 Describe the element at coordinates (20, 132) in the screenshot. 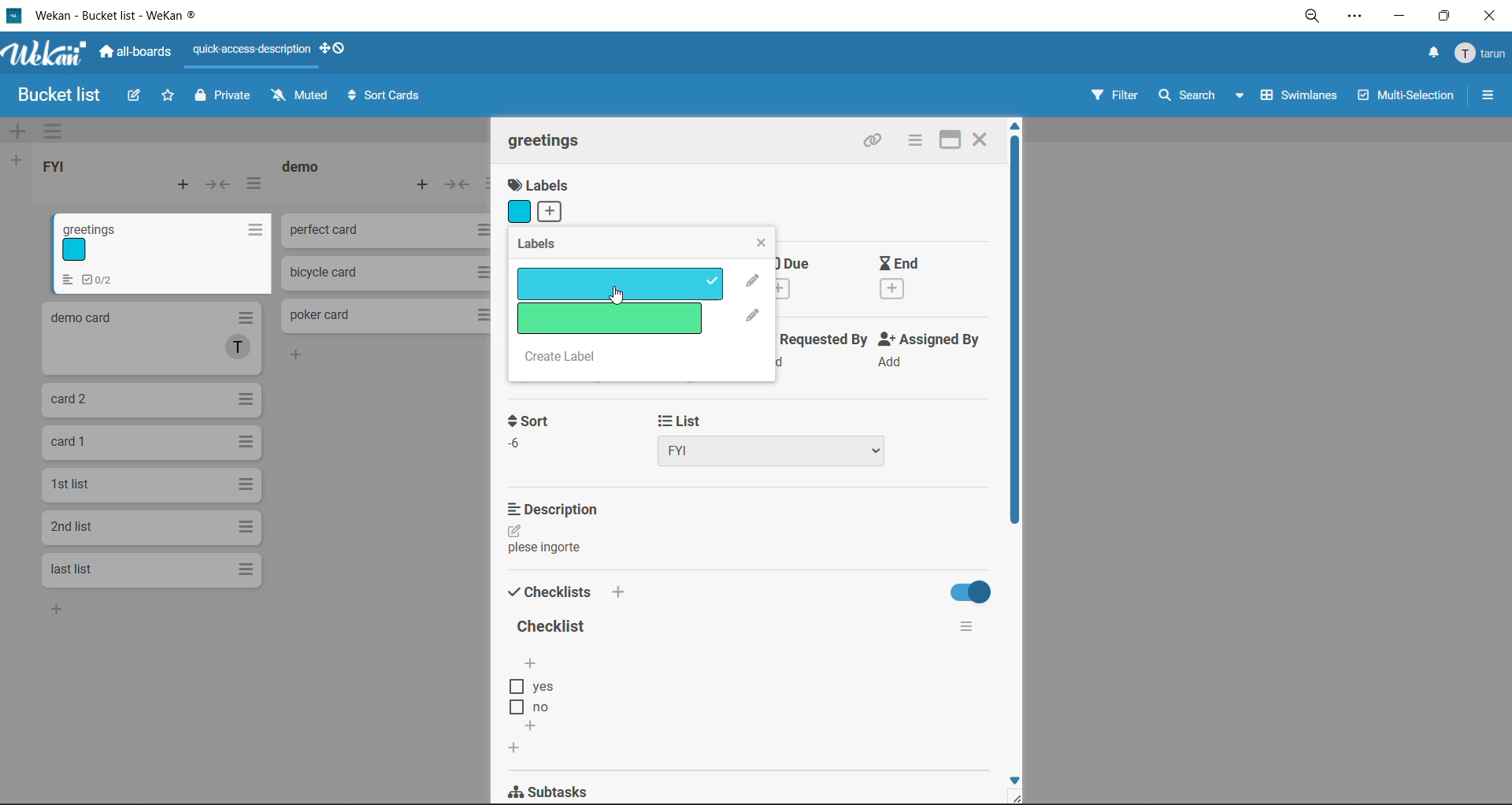

I see `add swimlane` at that location.